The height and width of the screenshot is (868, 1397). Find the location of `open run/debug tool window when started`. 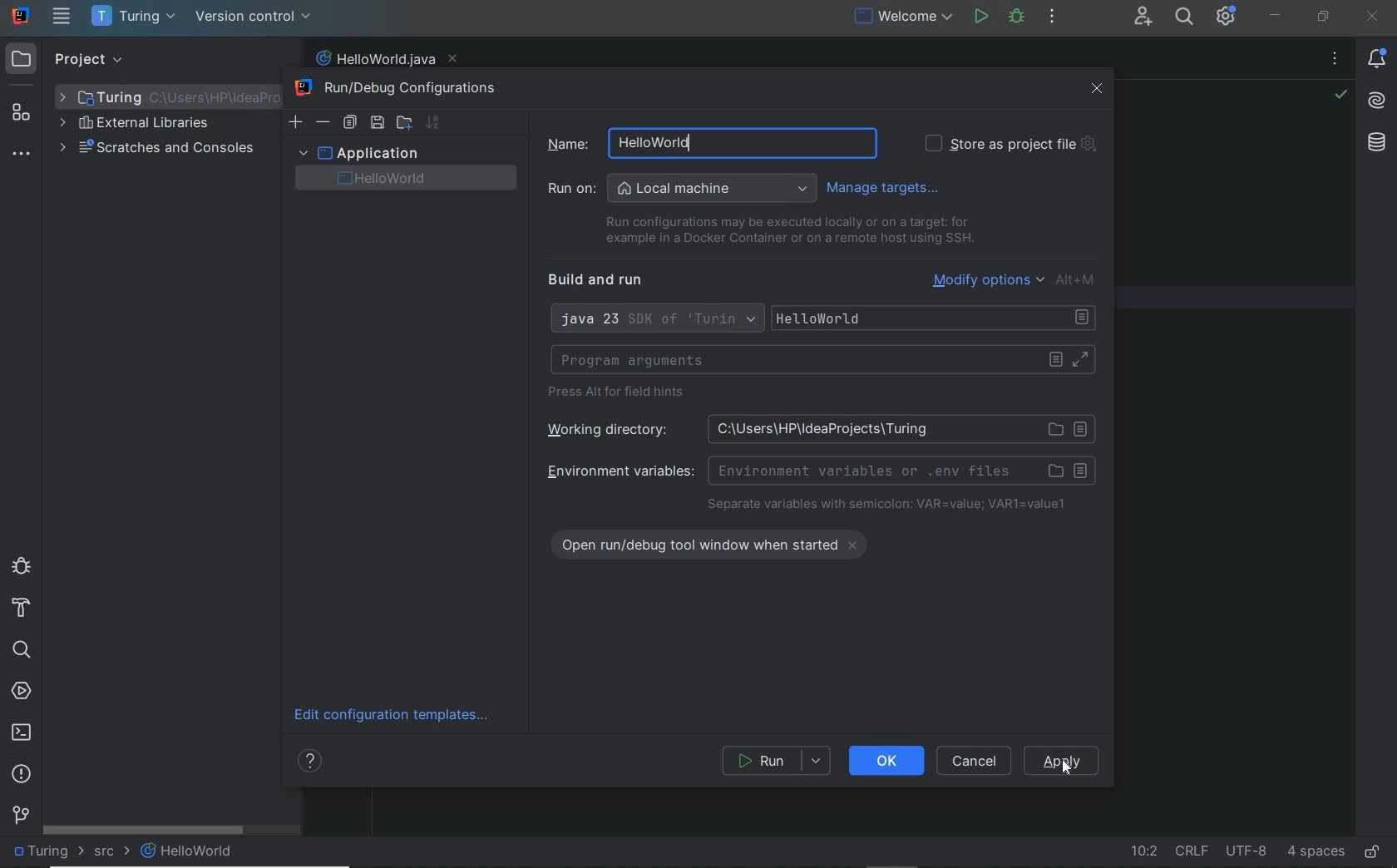

open run/debug tool window when started is located at coordinates (719, 542).